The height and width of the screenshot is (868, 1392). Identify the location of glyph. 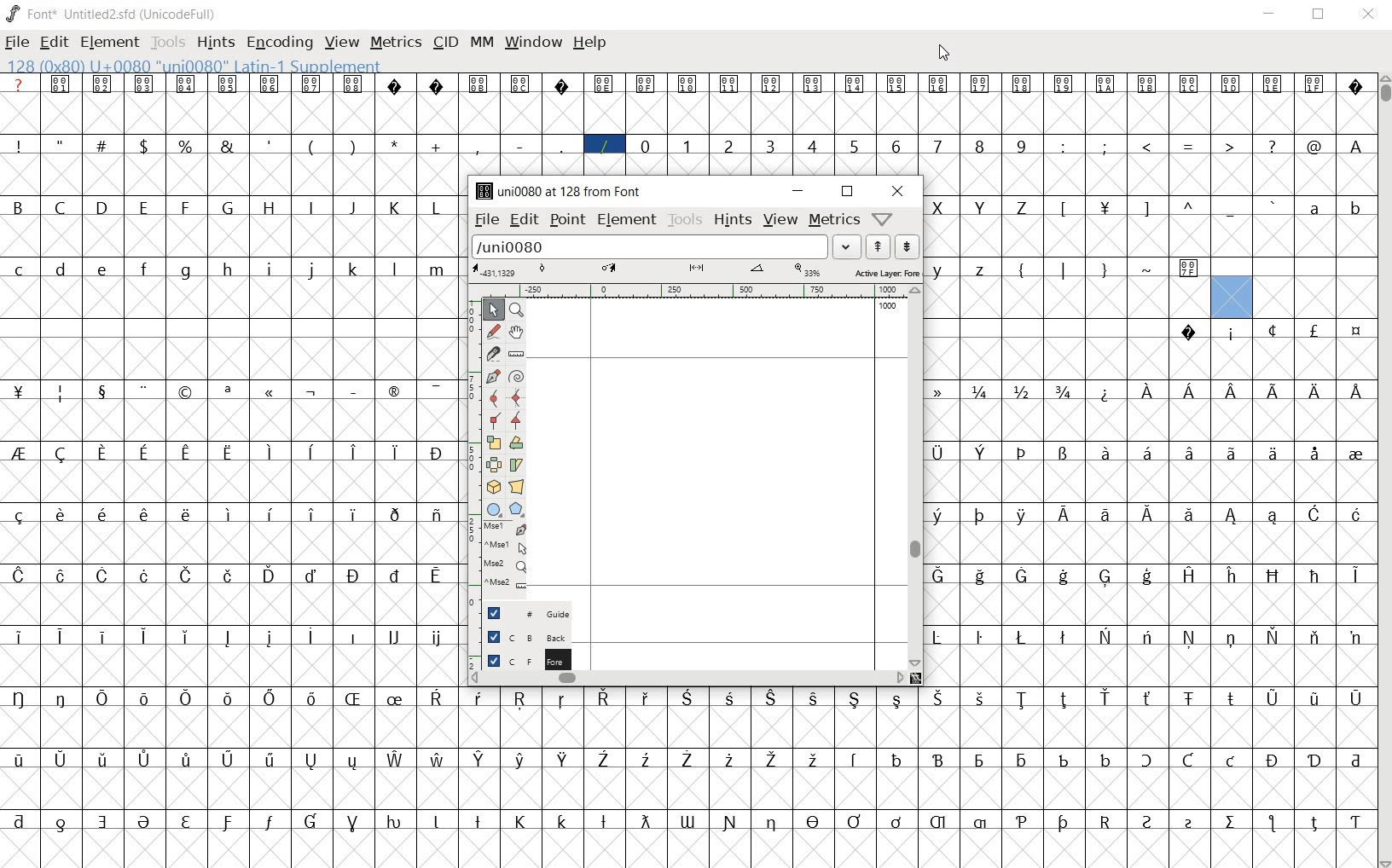
(1021, 576).